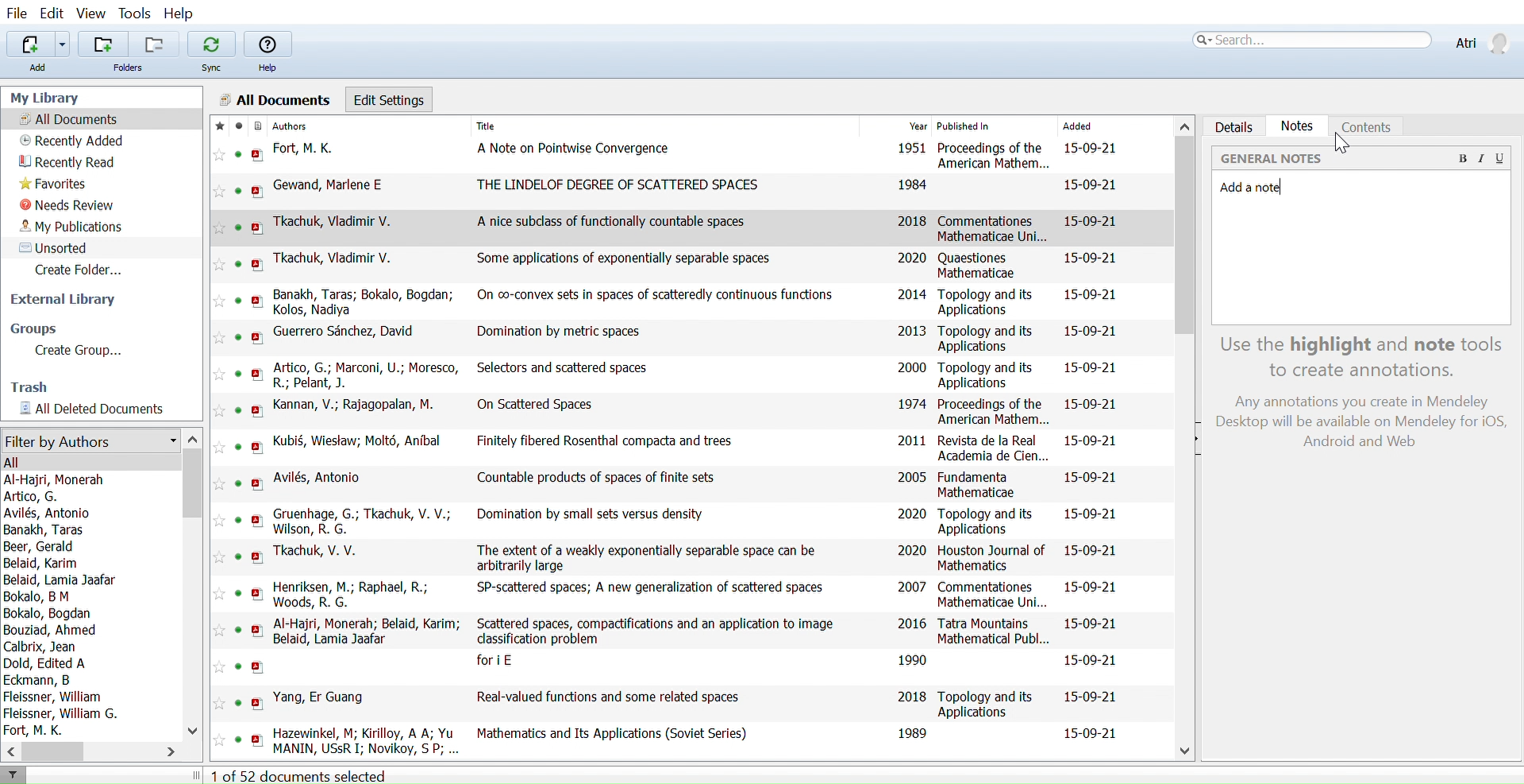 The height and width of the screenshot is (784, 1524). Describe the element at coordinates (256, 229) in the screenshot. I see `open PDF` at that location.